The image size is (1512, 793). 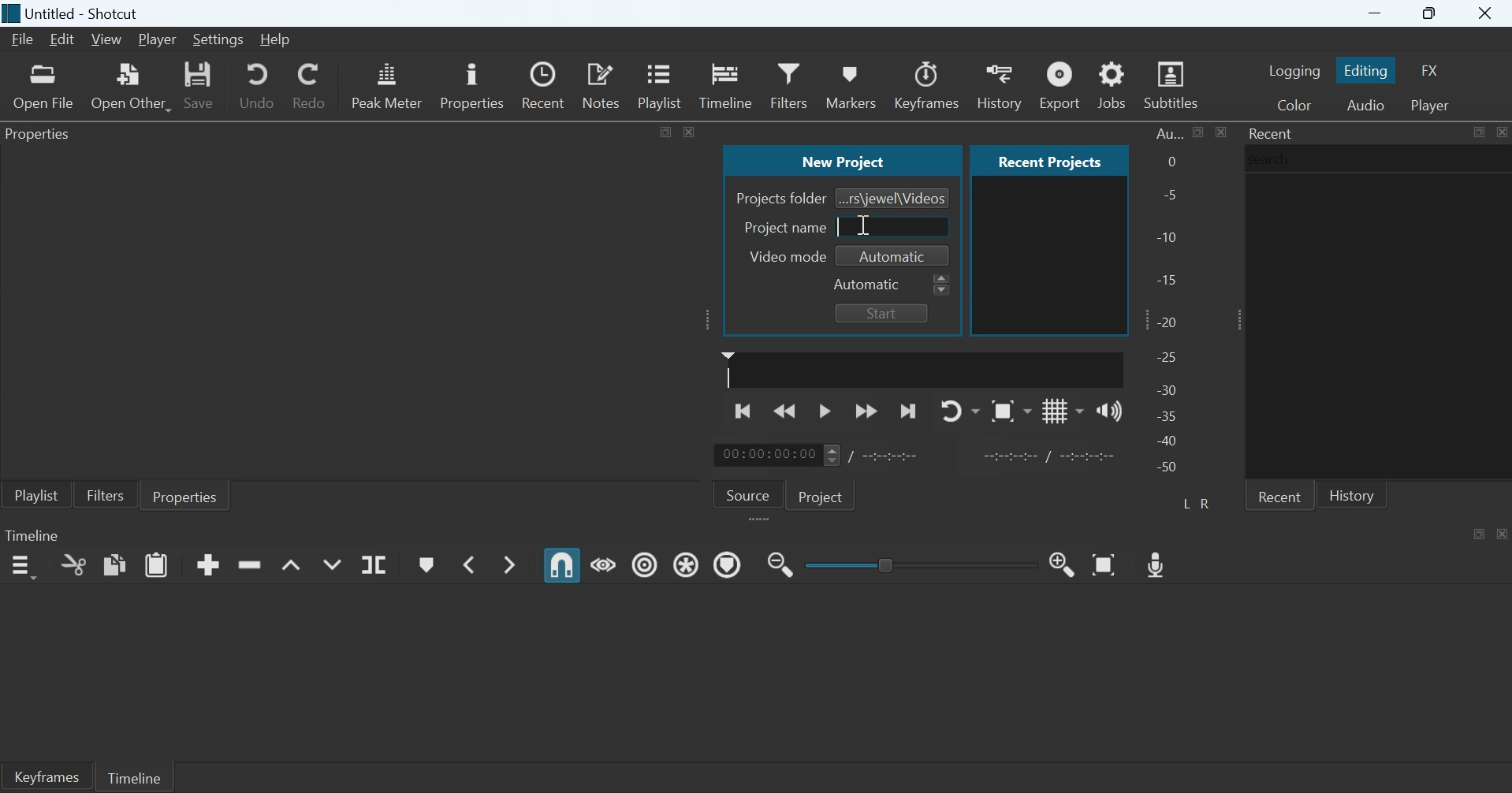 I want to click on Expand, so click(x=1235, y=319).